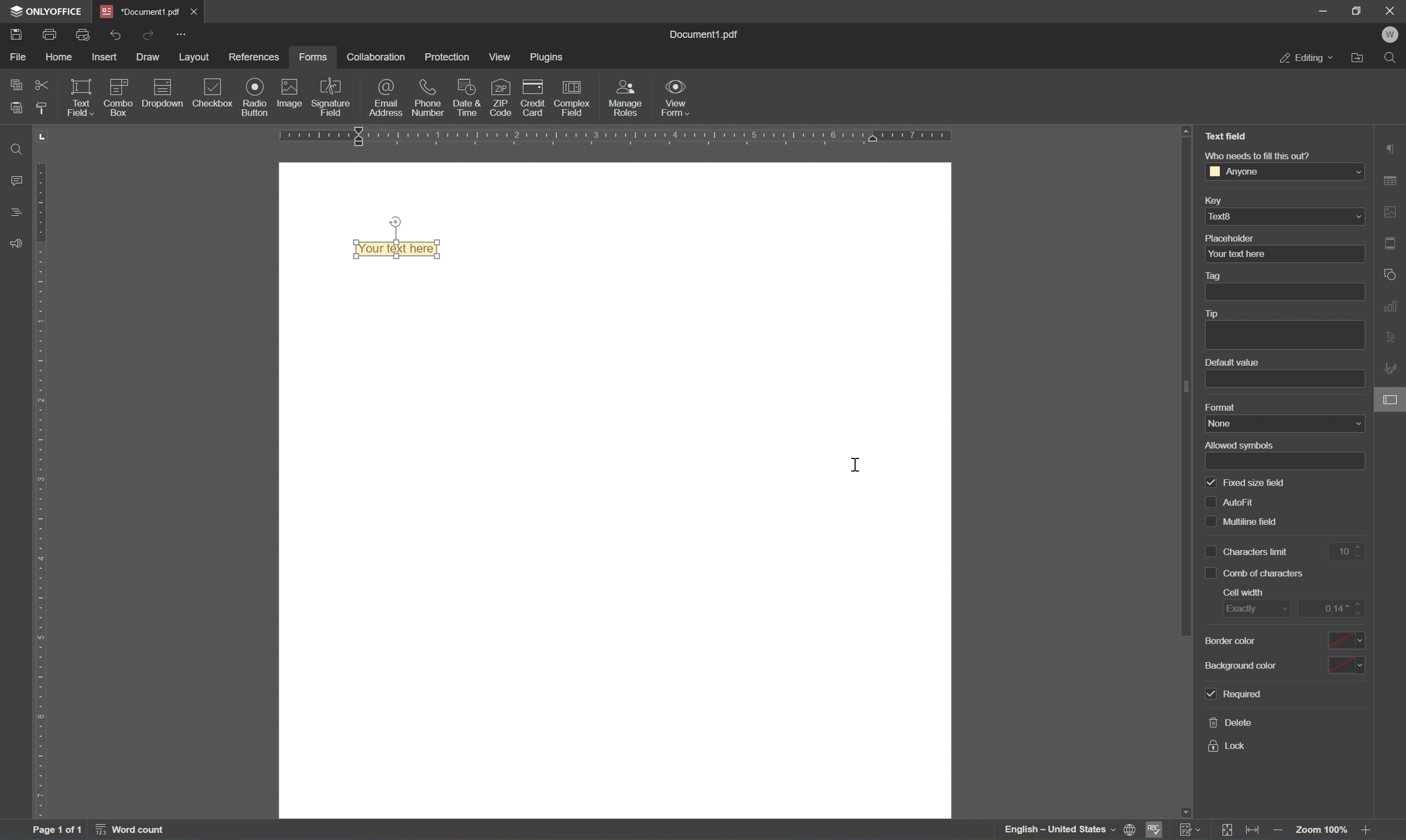 This screenshot has width=1406, height=840. What do you see at coordinates (1287, 666) in the screenshot?
I see `background color` at bounding box center [1287, 666].